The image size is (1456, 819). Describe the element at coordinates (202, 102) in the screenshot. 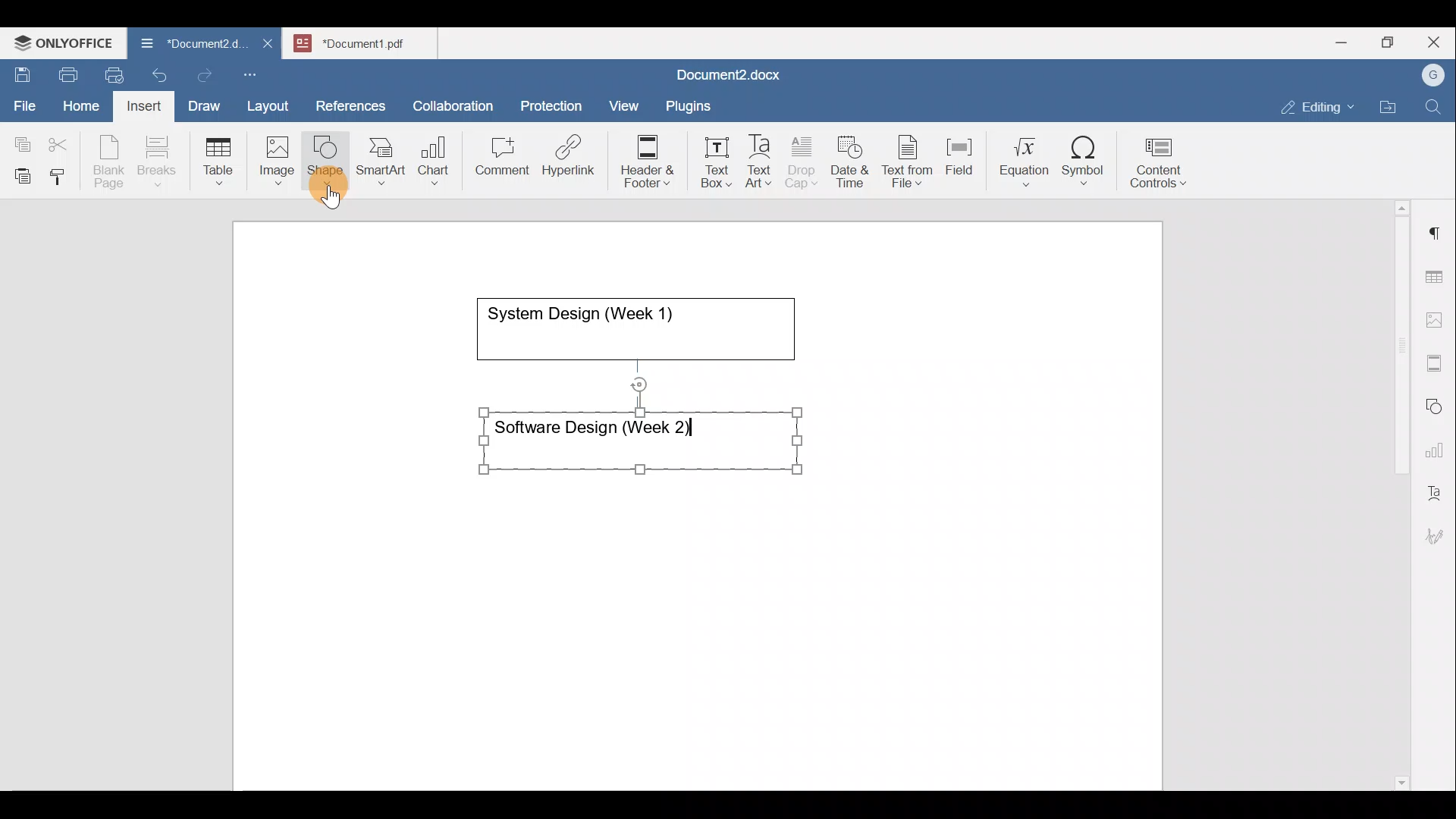

I see `Draw` at that location.